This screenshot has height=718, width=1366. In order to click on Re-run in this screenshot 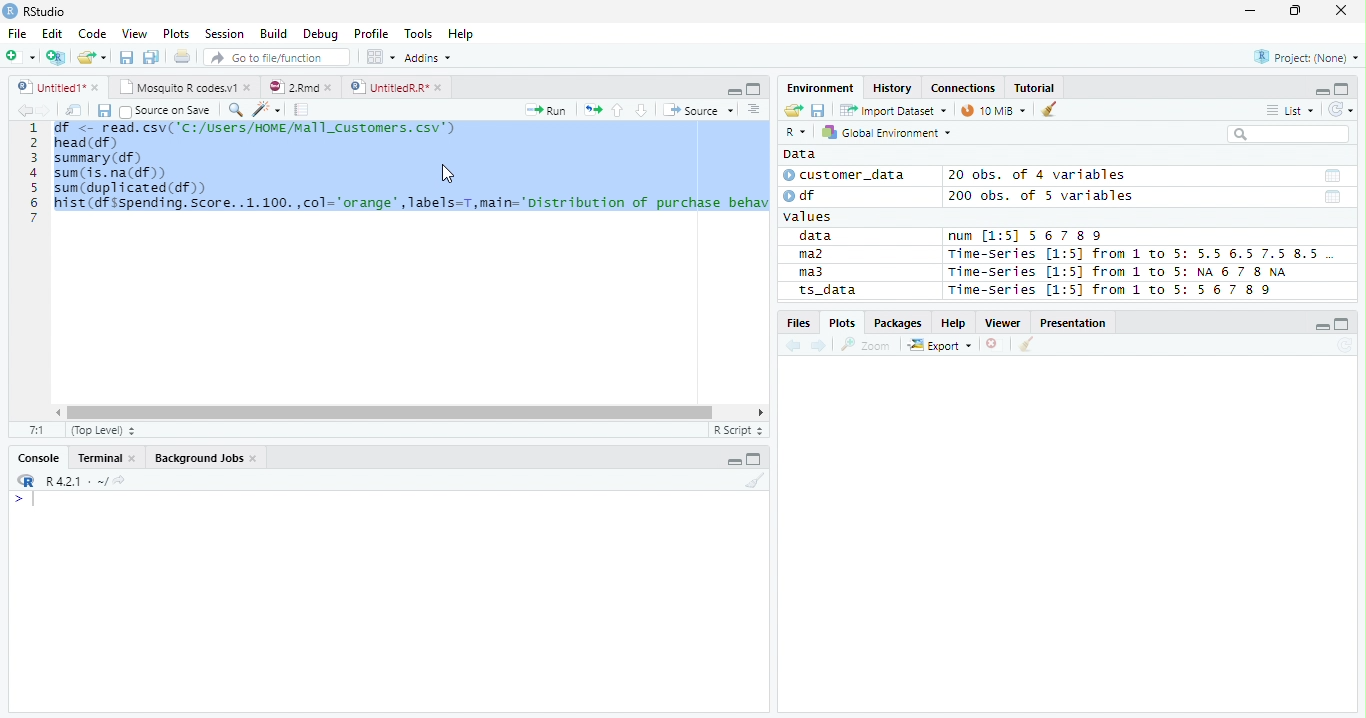, I will do `click(592, 111)`.